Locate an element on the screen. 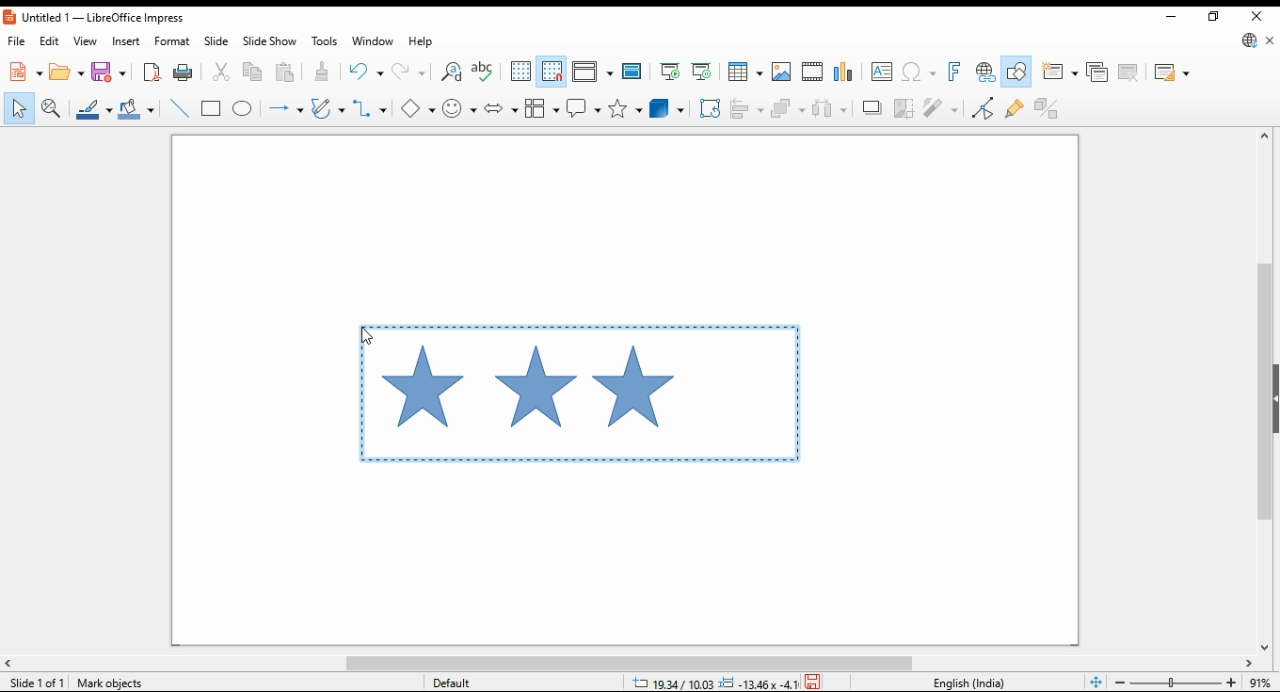  flowchart is located at coordinates (541, 108).